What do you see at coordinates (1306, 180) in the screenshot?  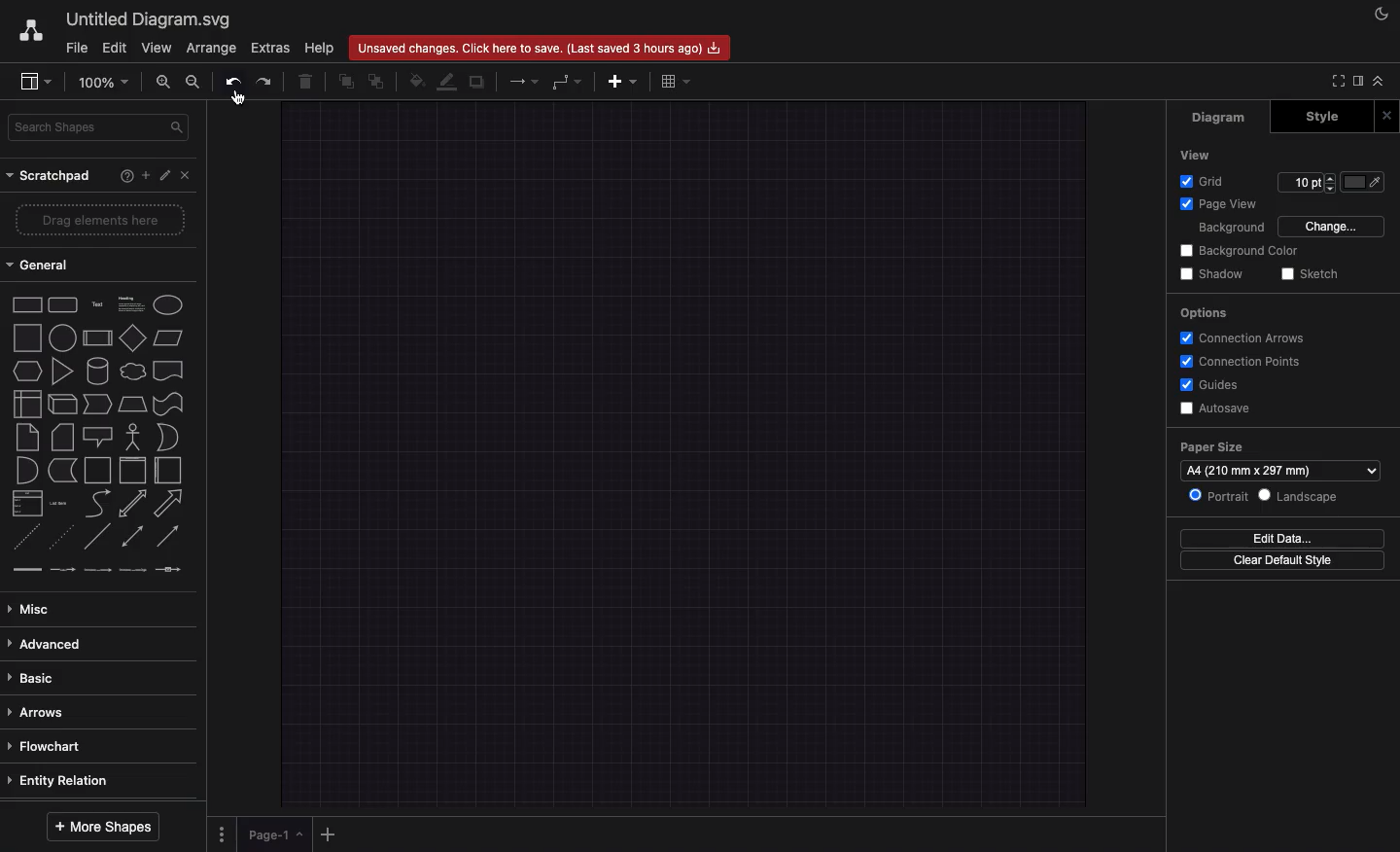 I see `Size` at bounding box center [1306, 180].